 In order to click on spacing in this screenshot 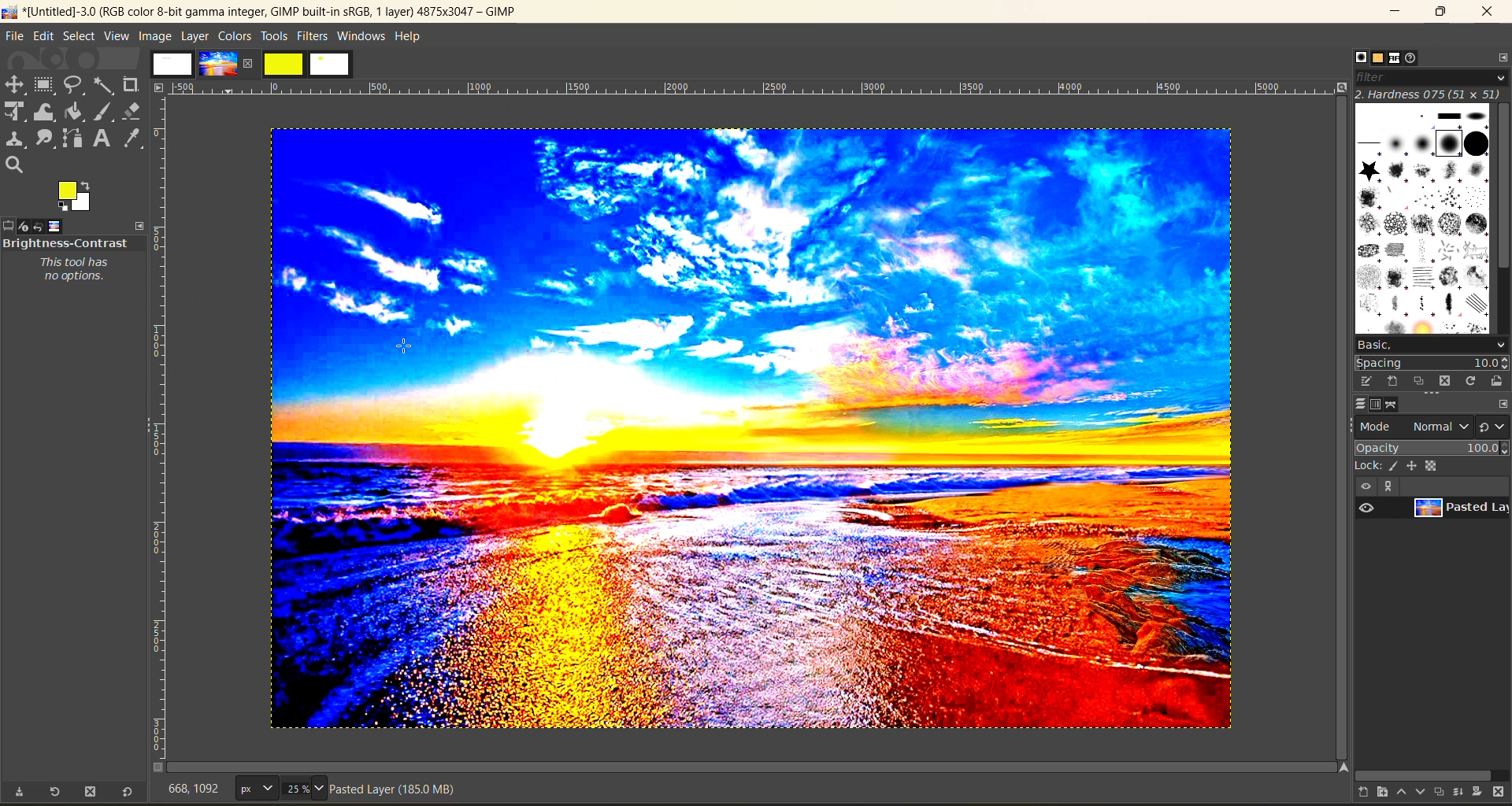, I will do `click(1433, 364)`.